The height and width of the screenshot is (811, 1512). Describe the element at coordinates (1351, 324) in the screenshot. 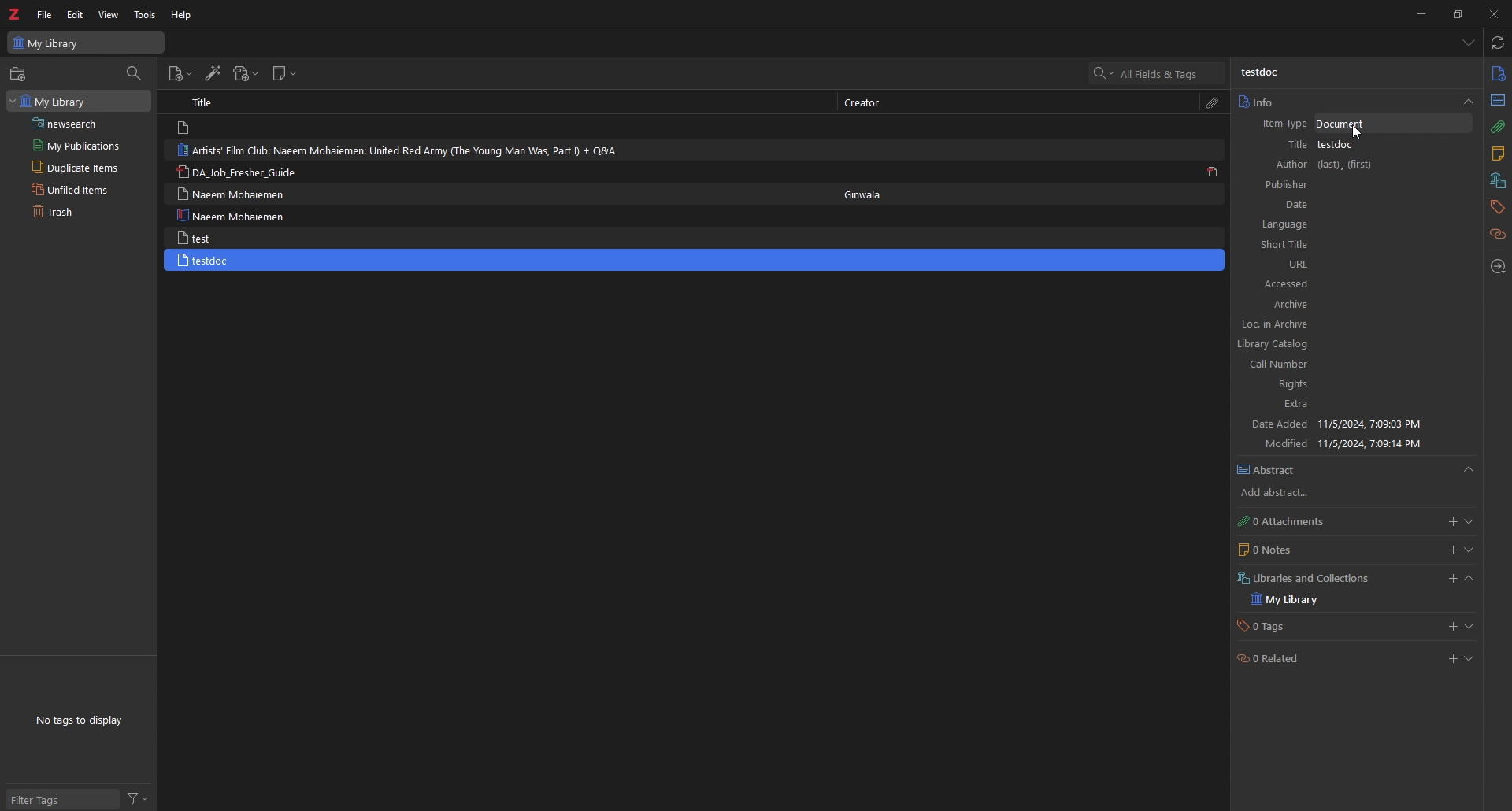

I see `Loc. in Archive` at that location.